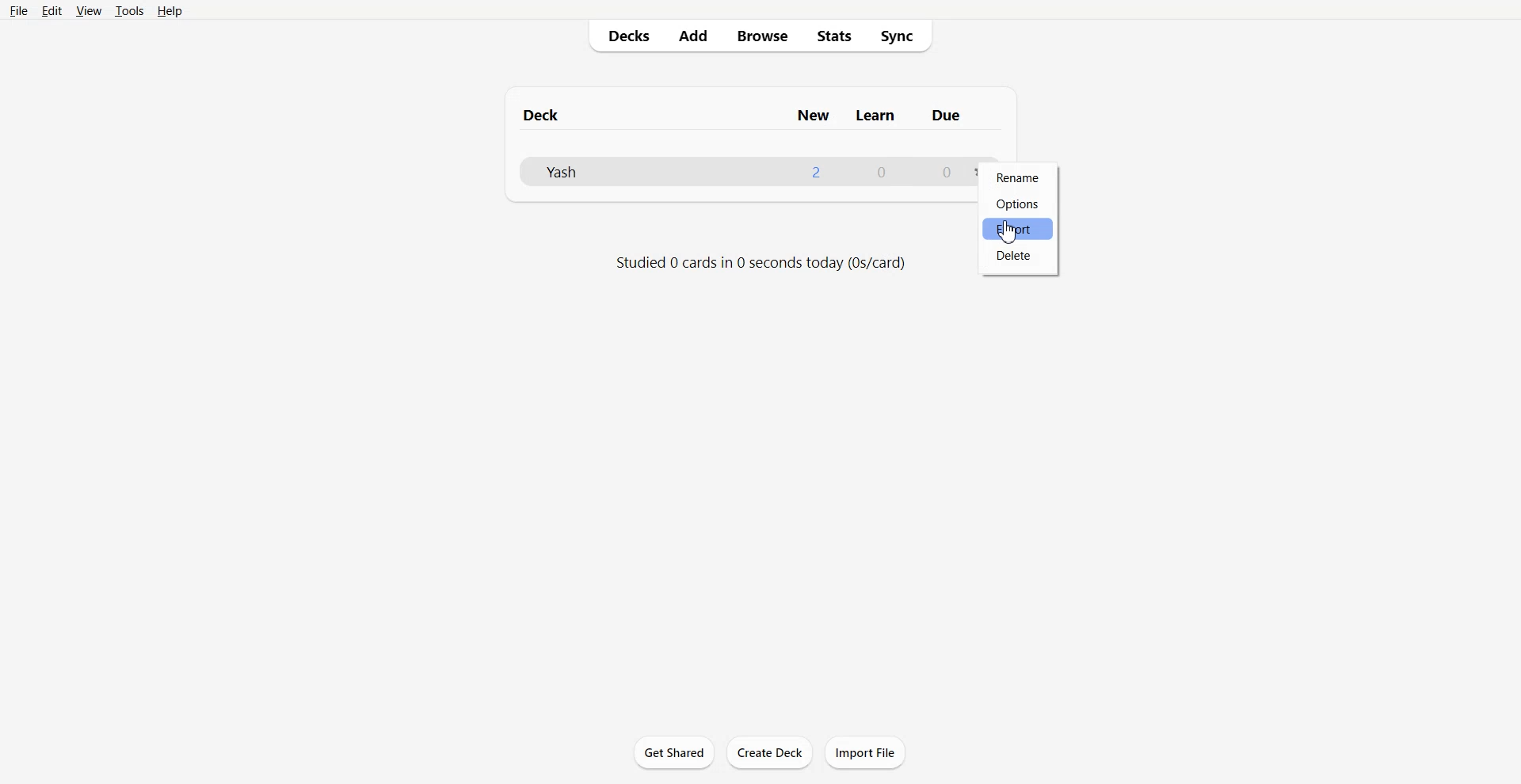  What do you see at coordinates (760, 36) in the screenshot?
I see `Browse` at bounding box center [760, 36].